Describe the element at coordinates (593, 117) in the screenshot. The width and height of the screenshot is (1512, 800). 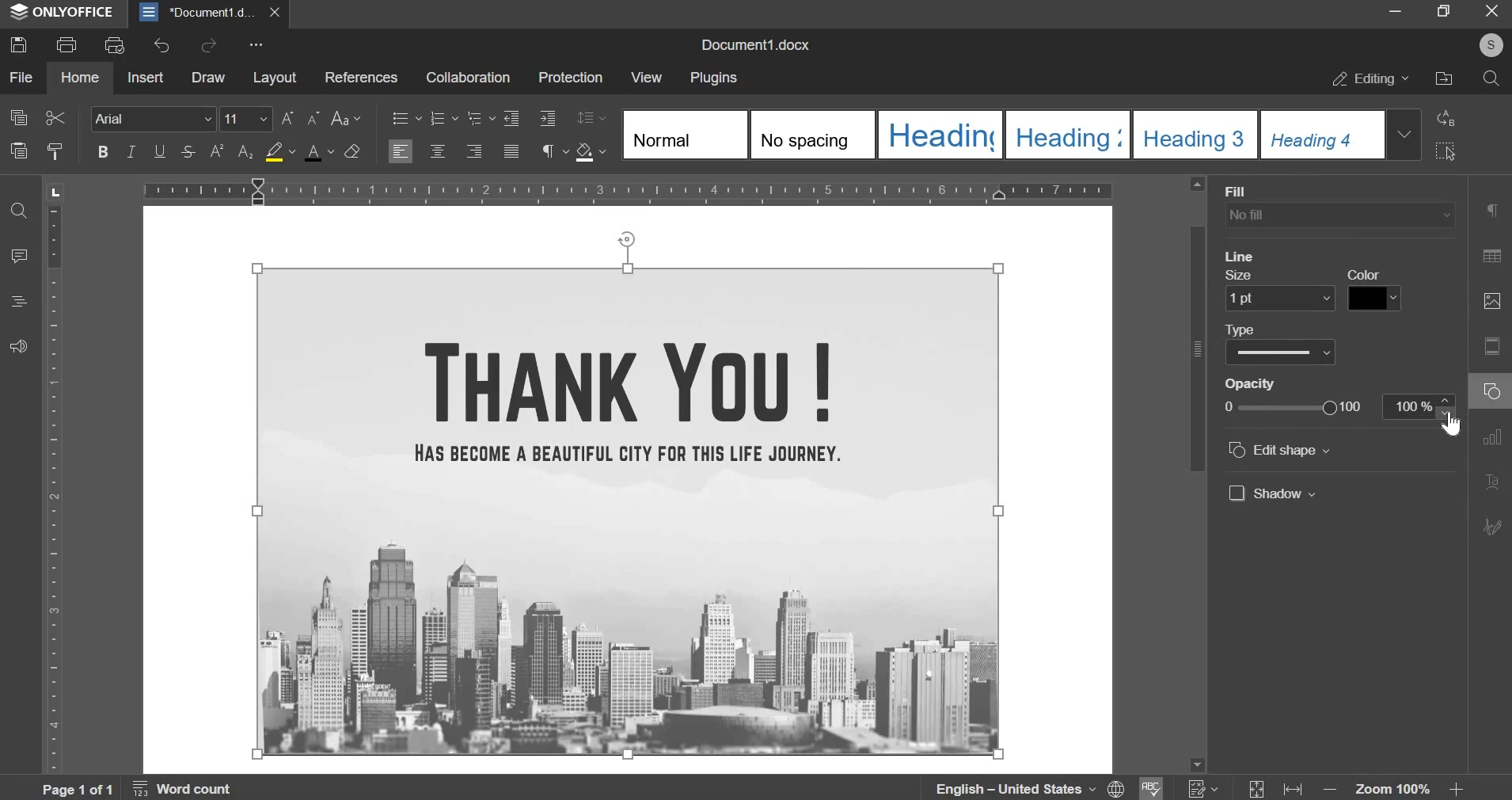
I see `line spacing` at that location.